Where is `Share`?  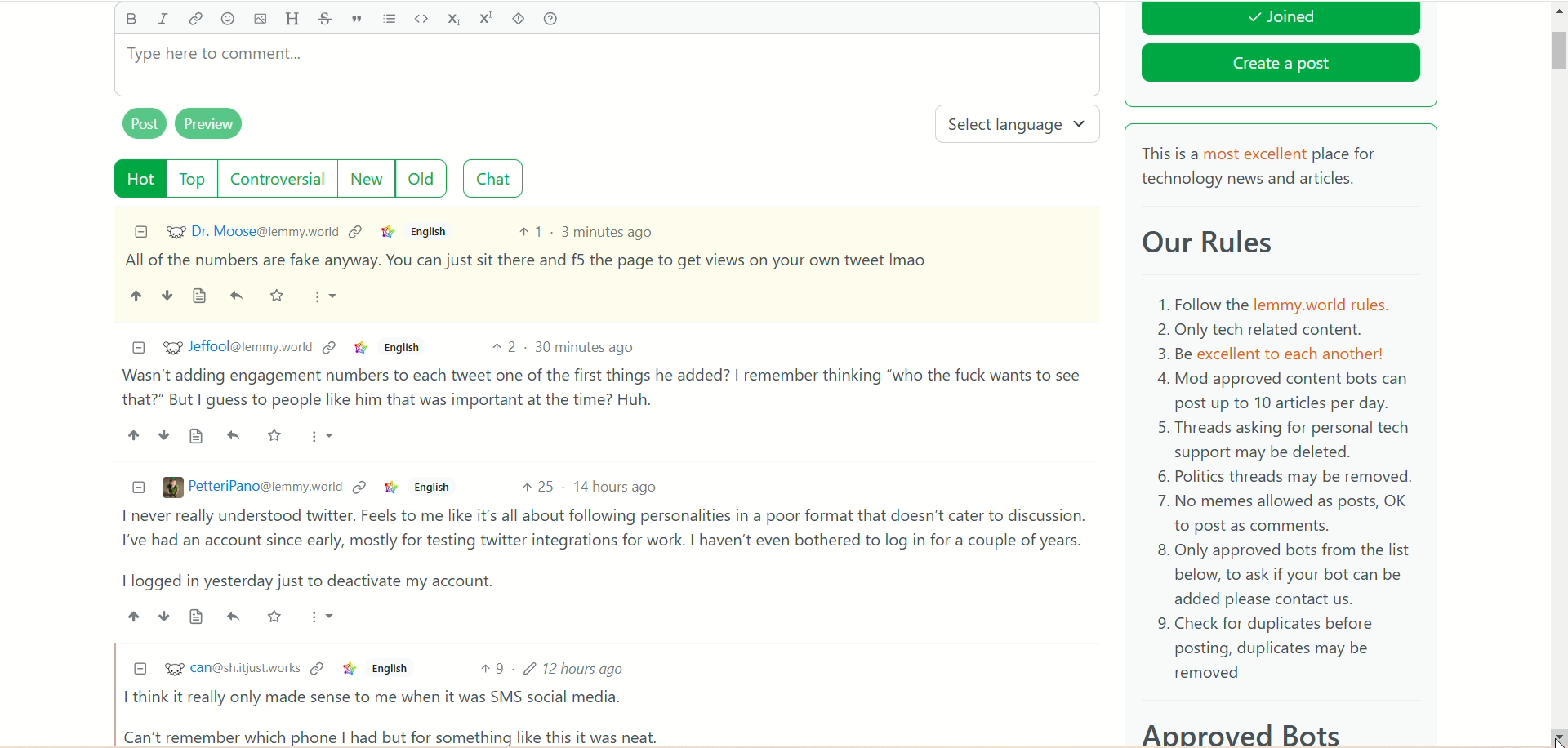
Share is located at coordinates (239, 296).